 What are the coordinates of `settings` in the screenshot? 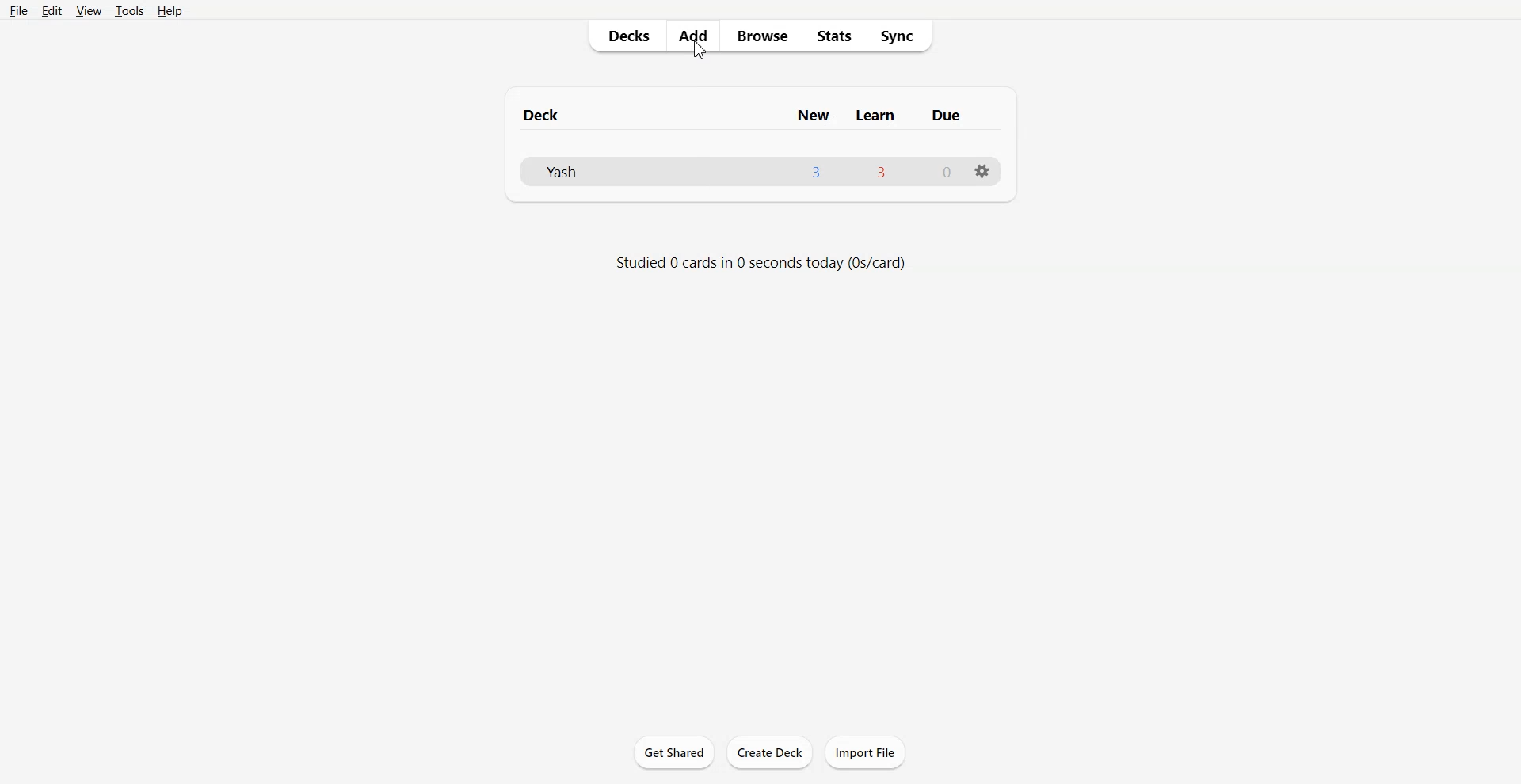 It's located at (982, 171).